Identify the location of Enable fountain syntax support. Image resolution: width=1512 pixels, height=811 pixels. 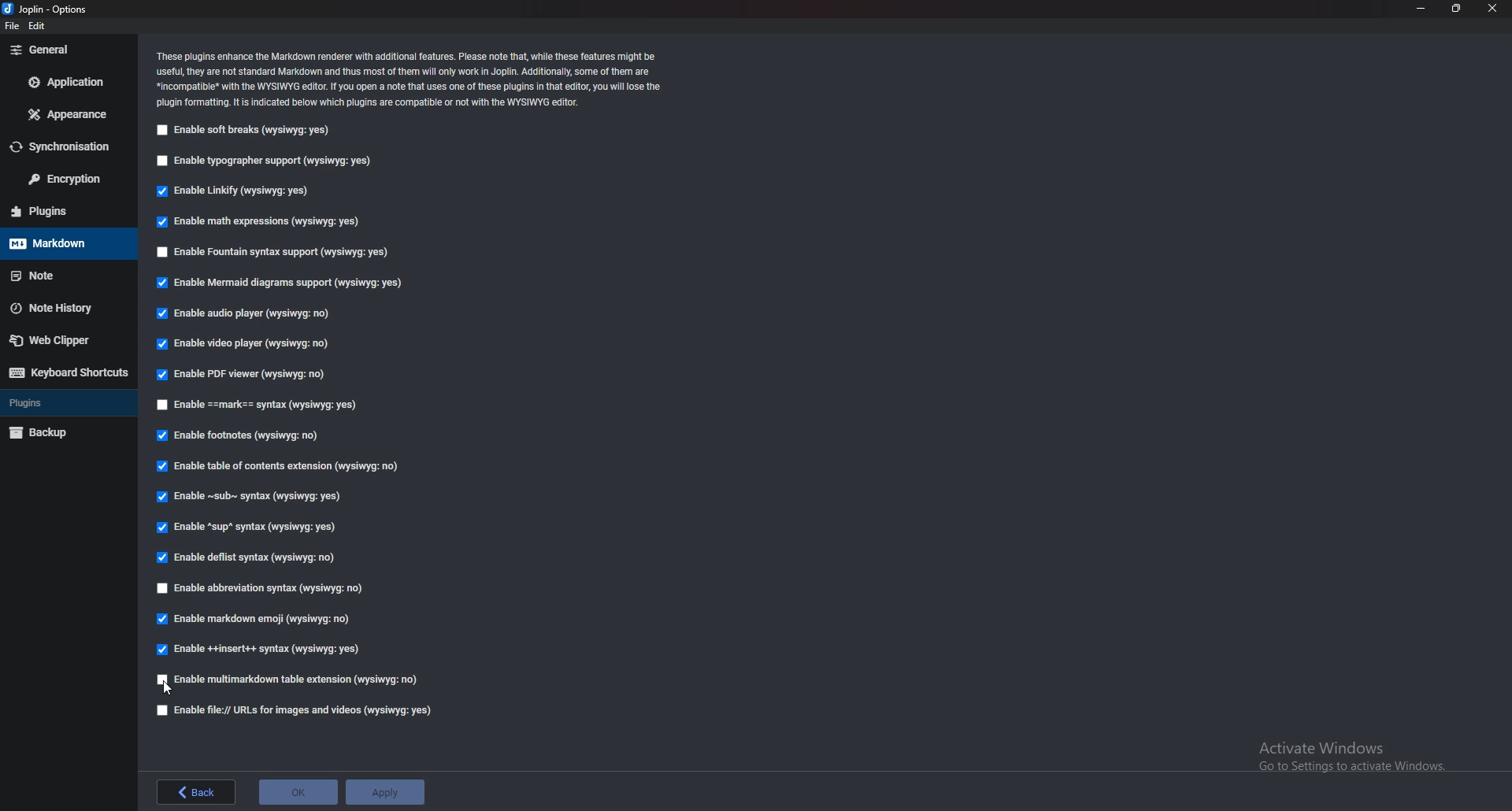
(287, 253).